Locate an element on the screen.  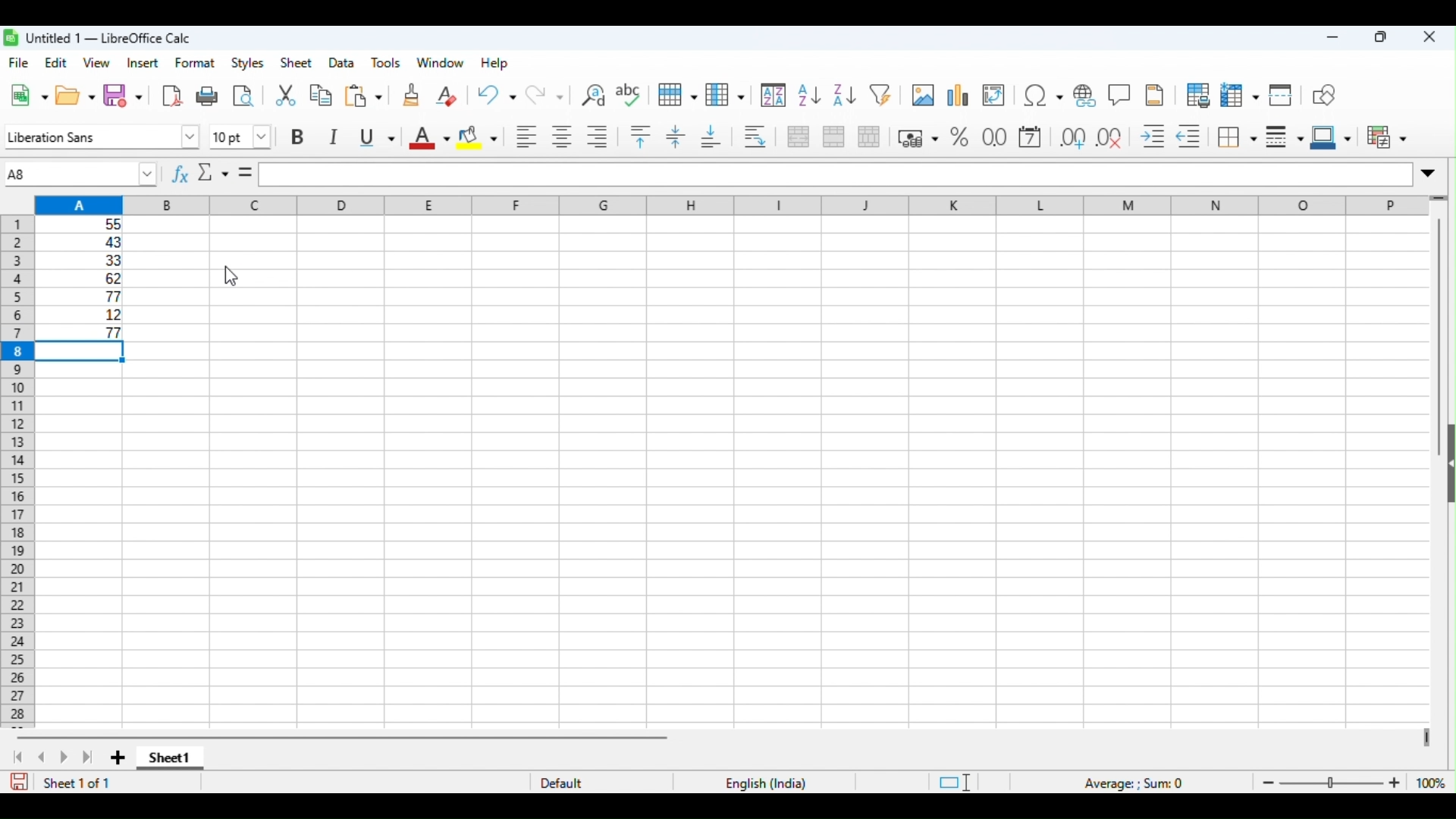
minimize is located at coordinates (1333, 38).